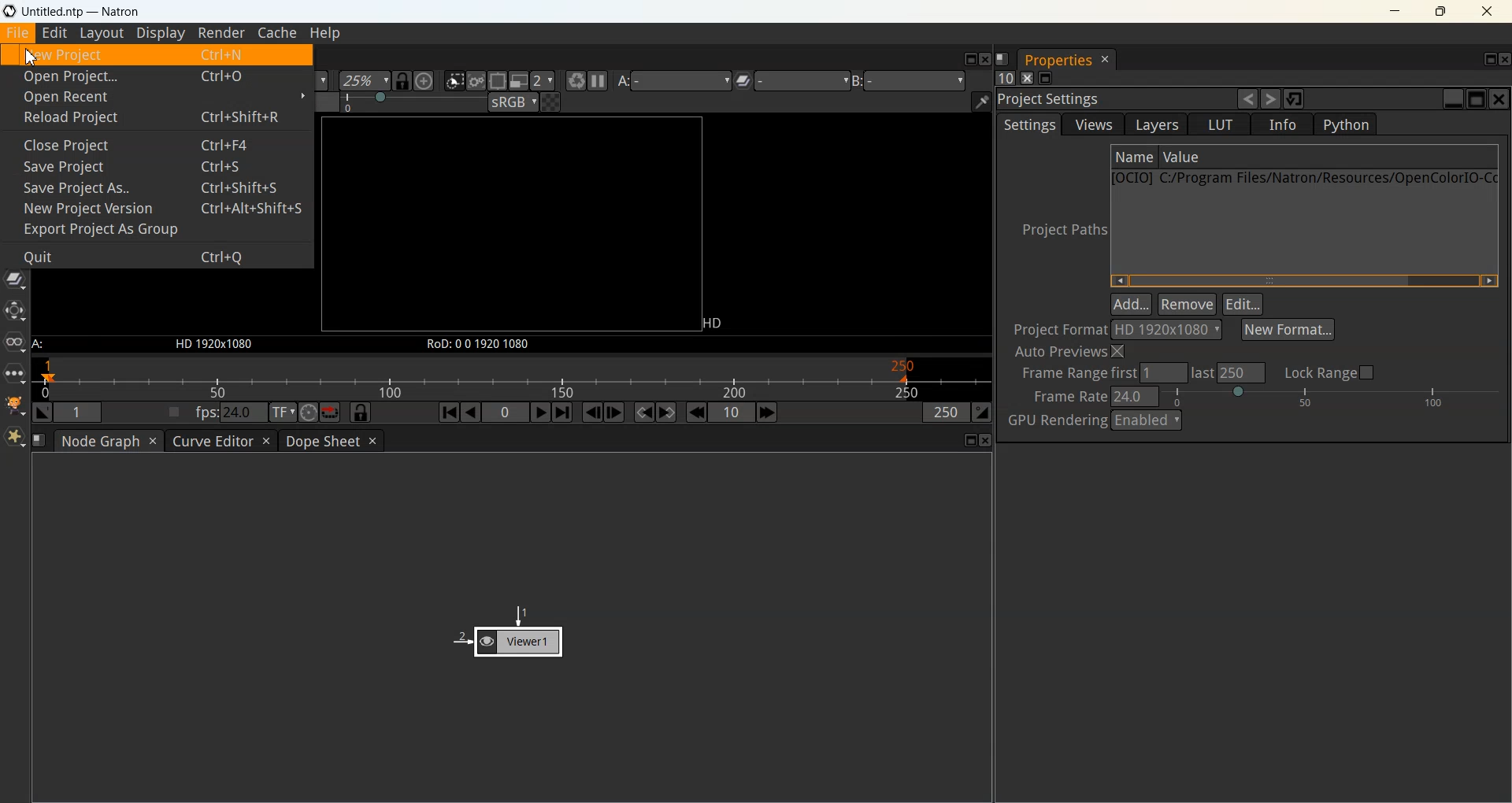  I want to click on Node Graph, so click(100, 441).